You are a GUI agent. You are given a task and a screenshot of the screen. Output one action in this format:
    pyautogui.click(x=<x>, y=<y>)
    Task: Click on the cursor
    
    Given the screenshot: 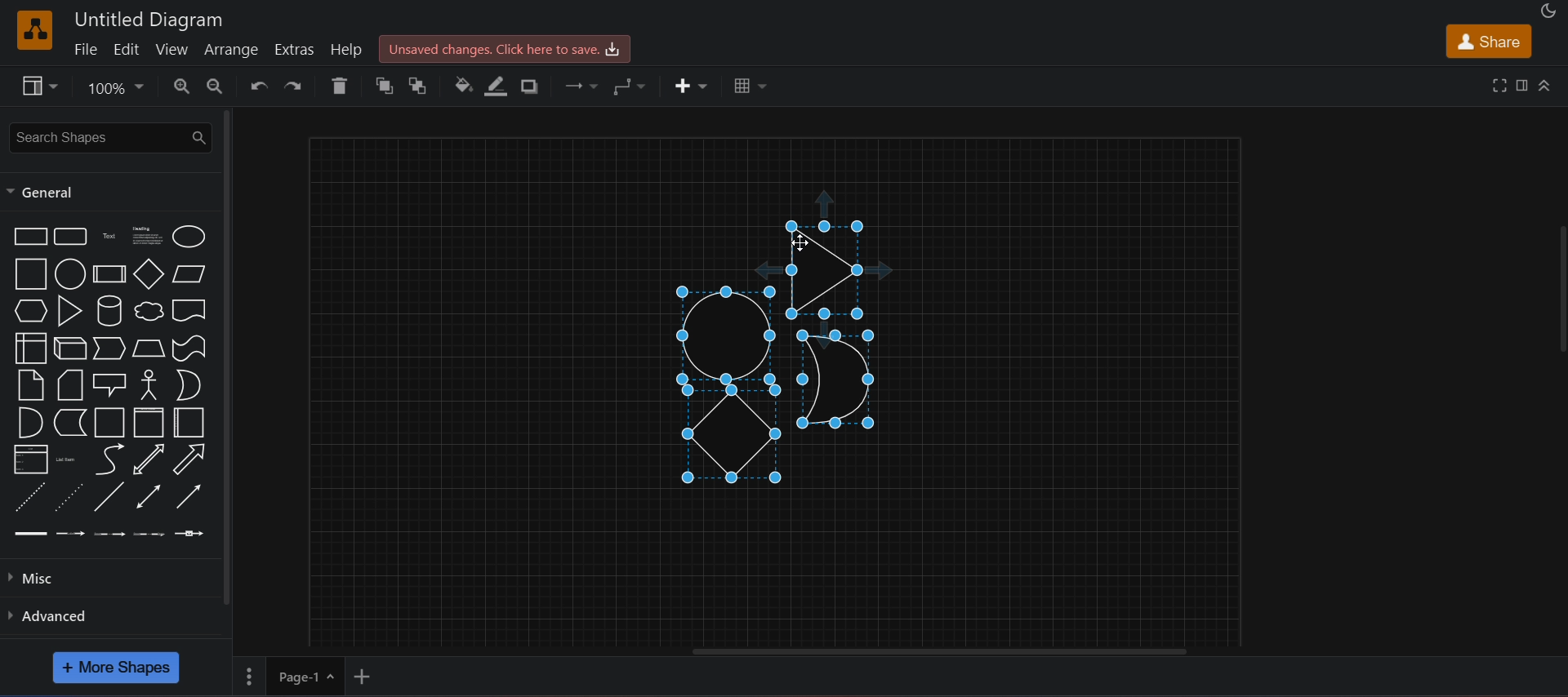 What is the action you would take?
    pyautogui.click(x=802, y=243)
    